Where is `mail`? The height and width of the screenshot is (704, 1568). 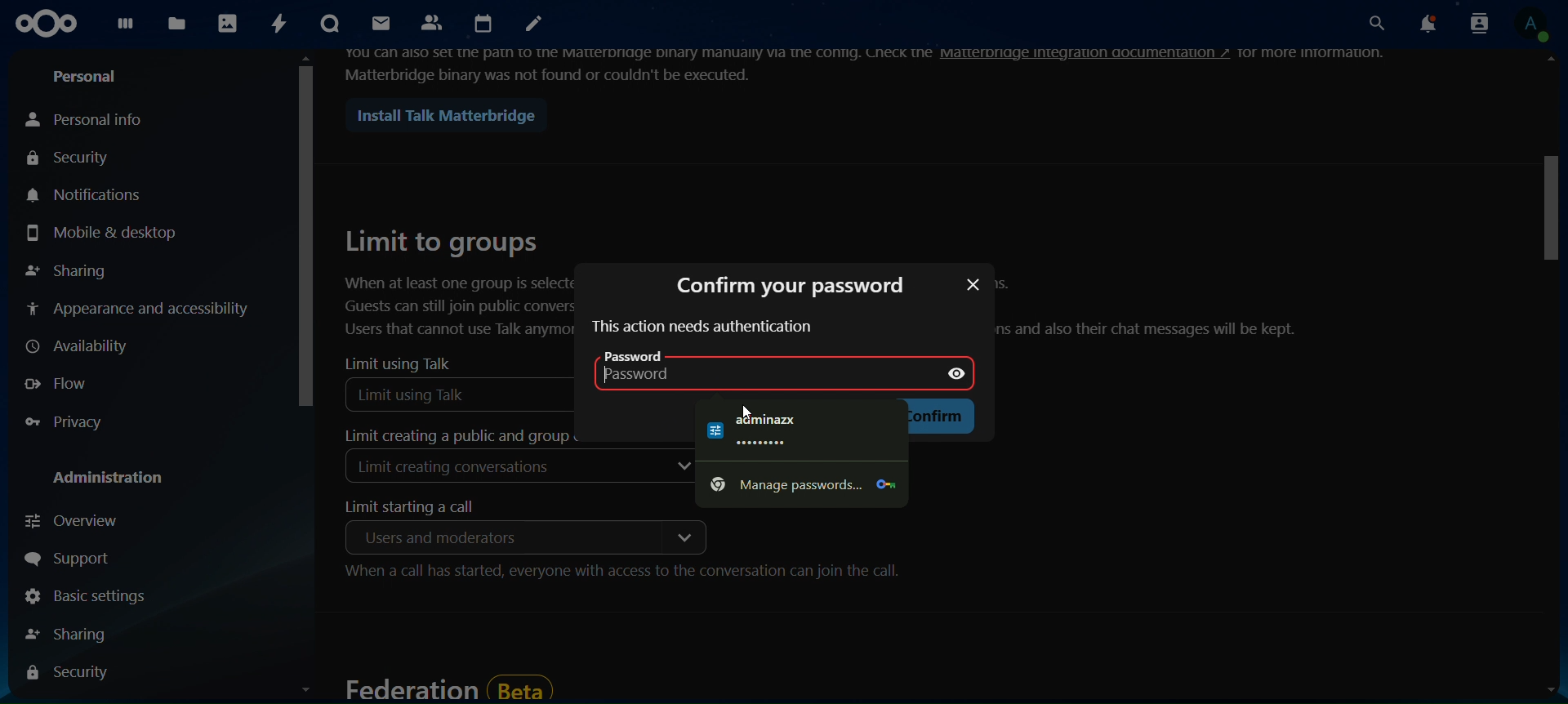 mail is located at coordinates (378, 23).